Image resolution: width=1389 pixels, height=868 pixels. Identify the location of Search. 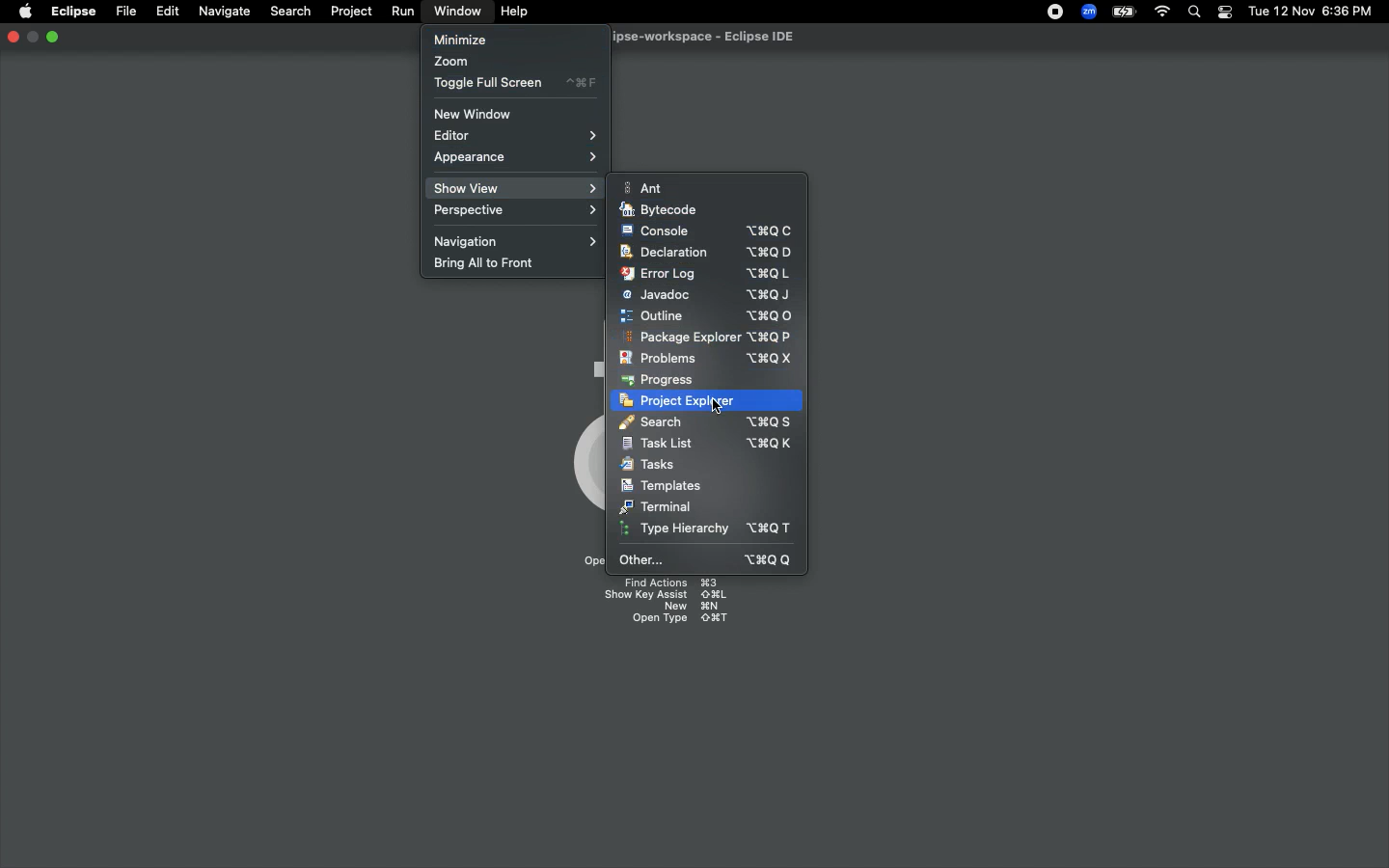
(288, 11).